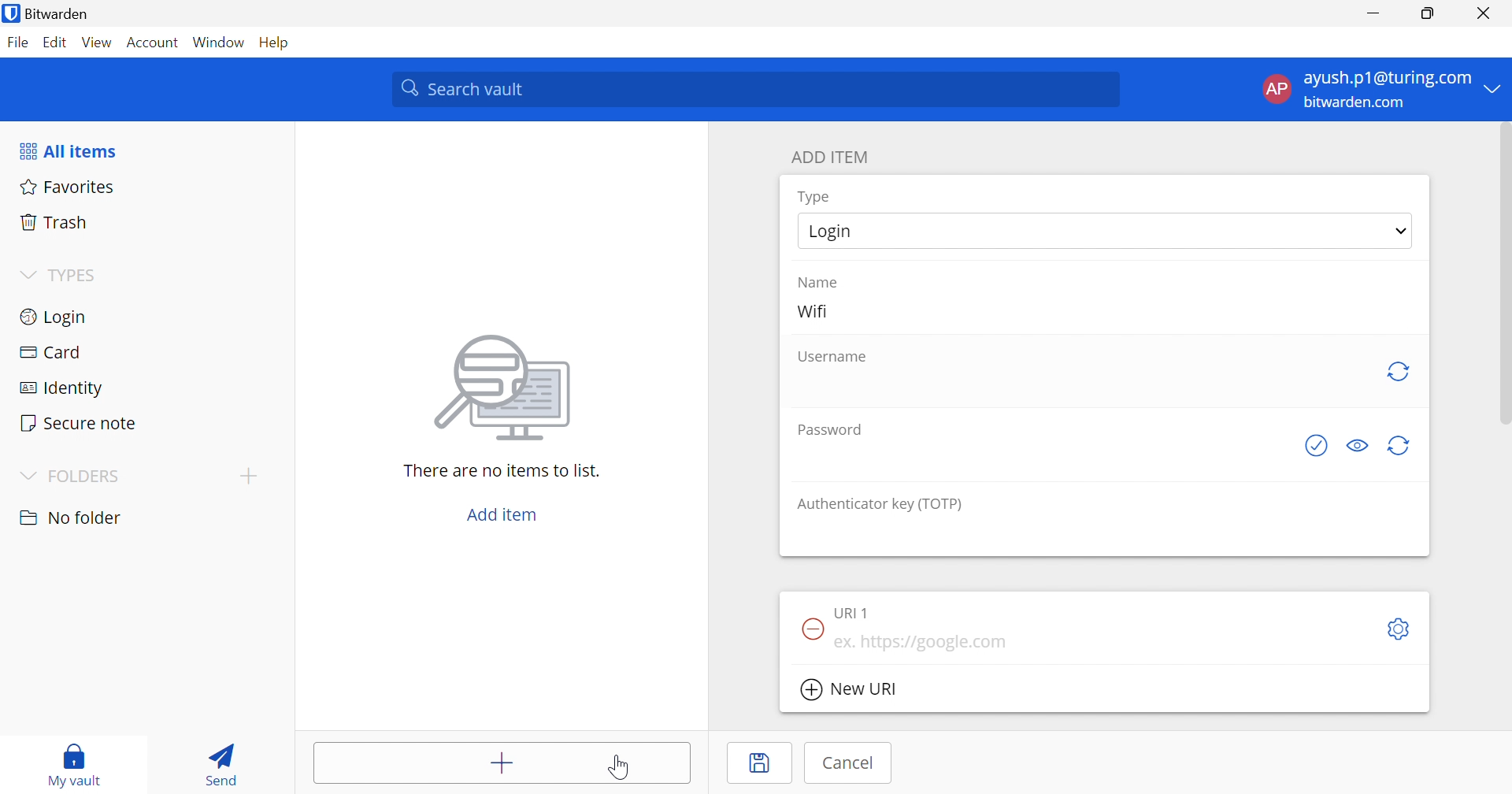 The width and height of the screenshot is (1512, 794). I want to click on Favorites, so click(65, 185).